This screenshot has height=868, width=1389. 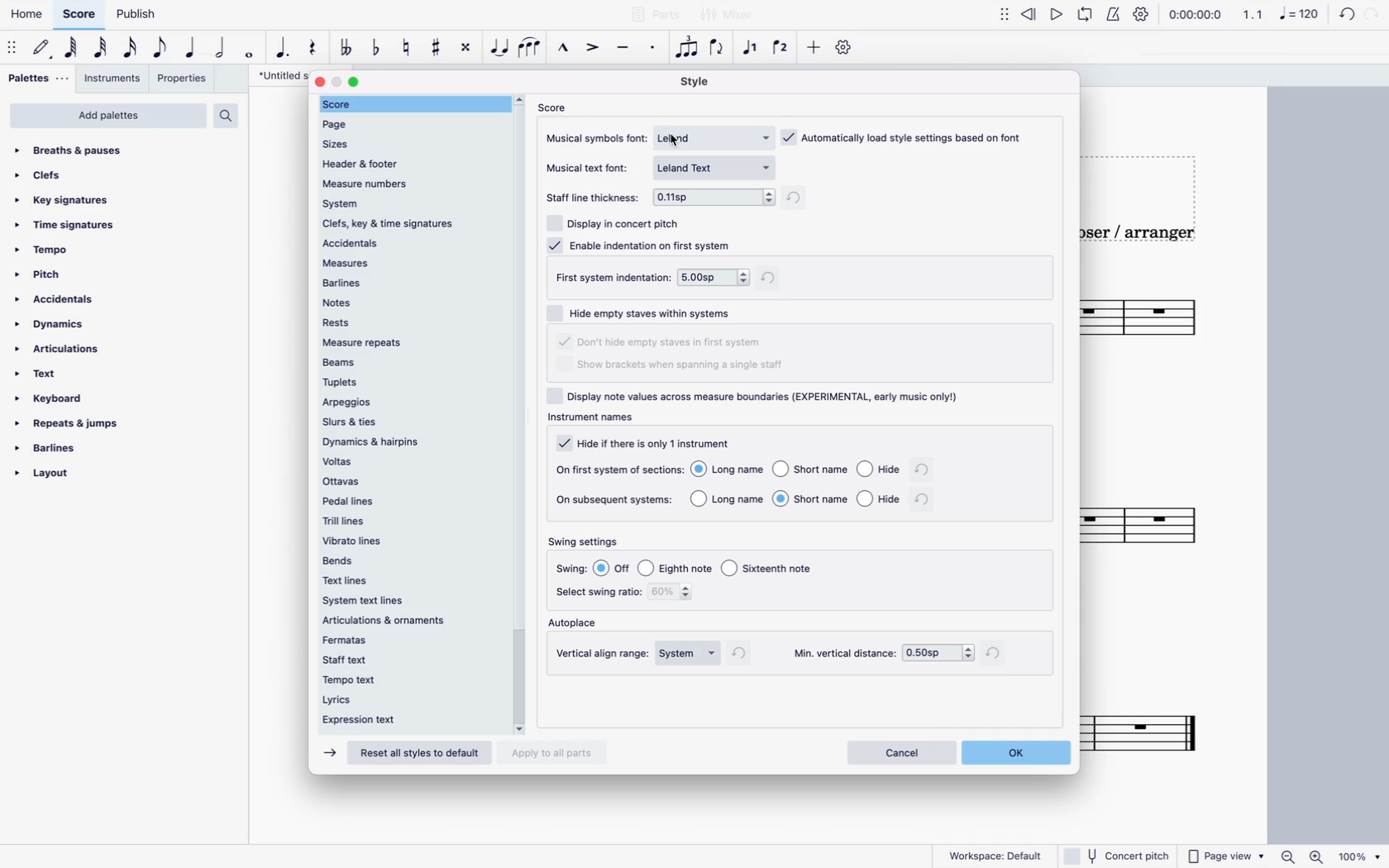 What do you see at coordinates (796, 472) in the screenshot?
I see `options` at bounding box center [796, 472].